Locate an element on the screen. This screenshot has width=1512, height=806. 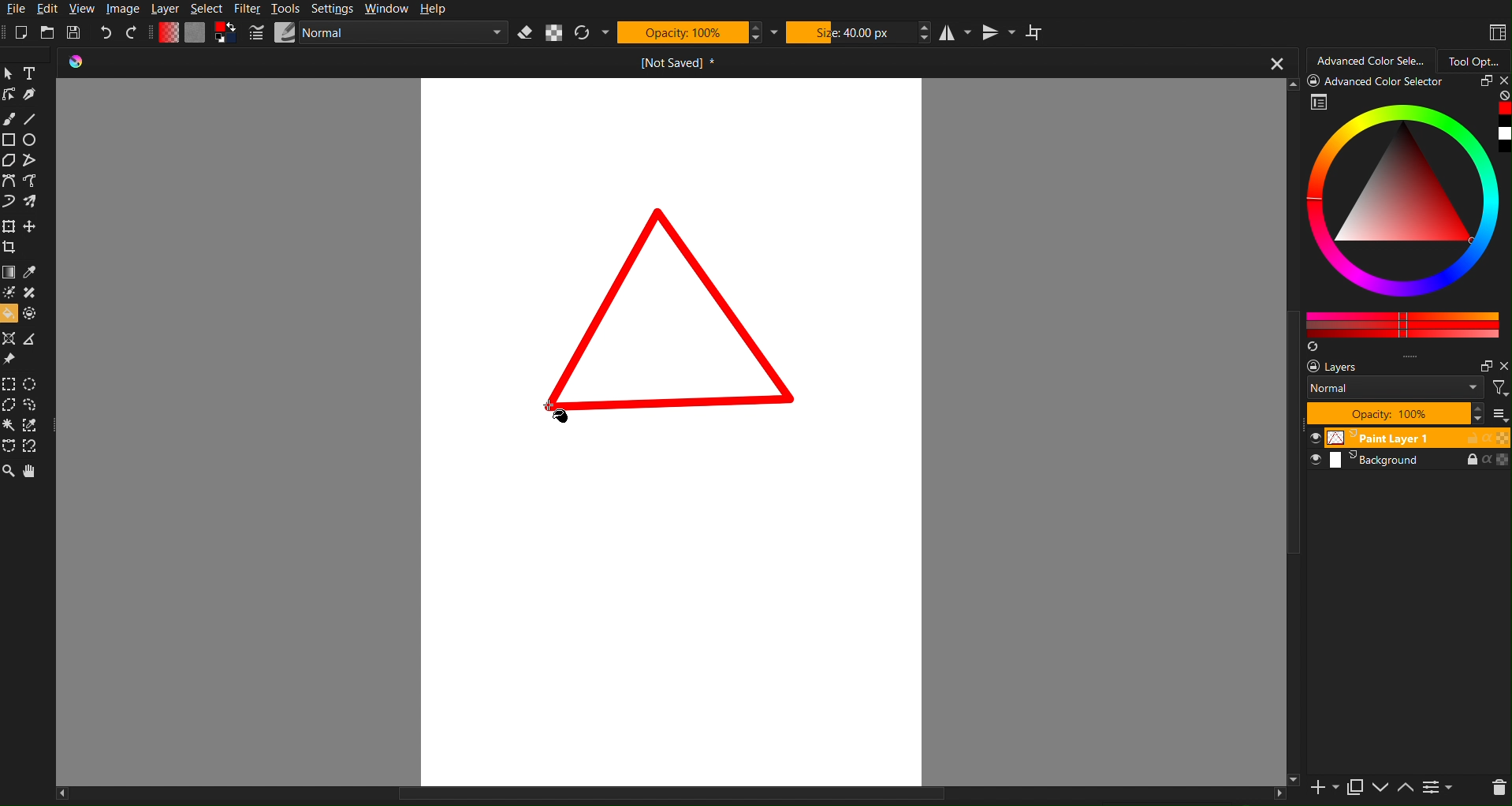
Undo is located at coordinates (106, 33).